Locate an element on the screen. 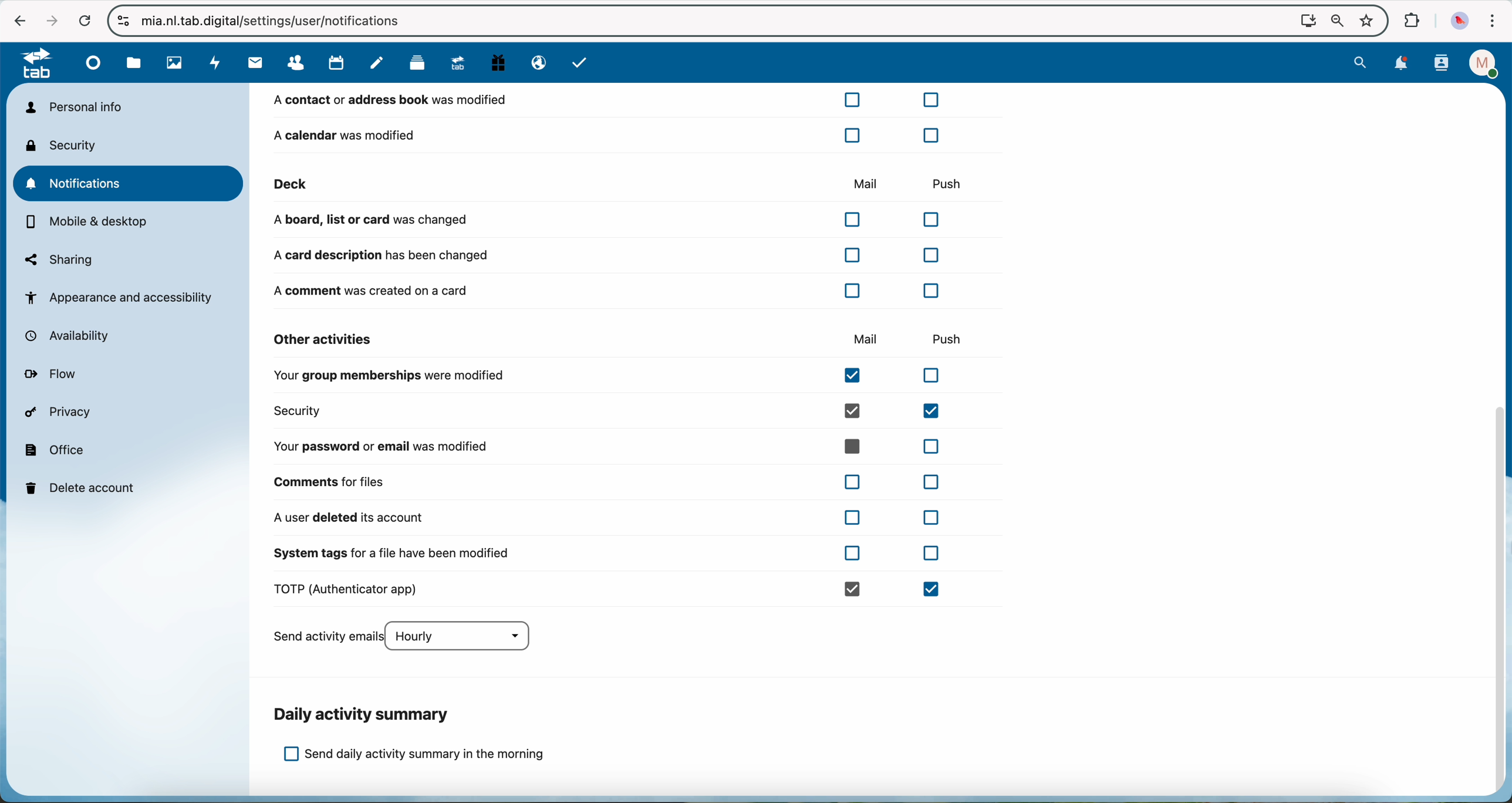 This screenshot has height=803, width=1512. zoom out is located at coordinates (1334, 21).